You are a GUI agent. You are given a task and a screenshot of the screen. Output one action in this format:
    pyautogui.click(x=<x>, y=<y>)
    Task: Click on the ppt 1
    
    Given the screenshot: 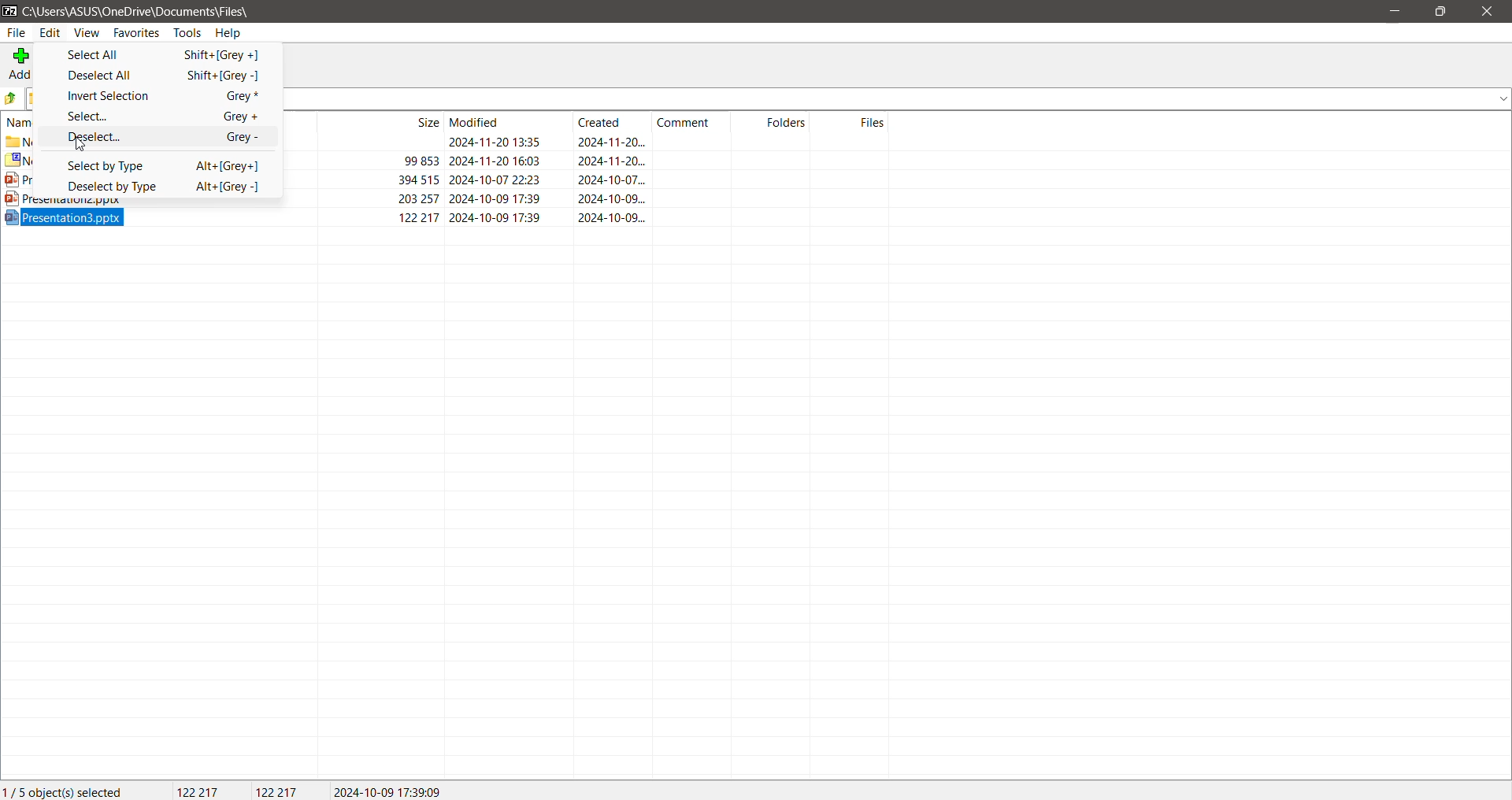 What is the action you would take?
    pyautogui.click(x=586, y=180)
    